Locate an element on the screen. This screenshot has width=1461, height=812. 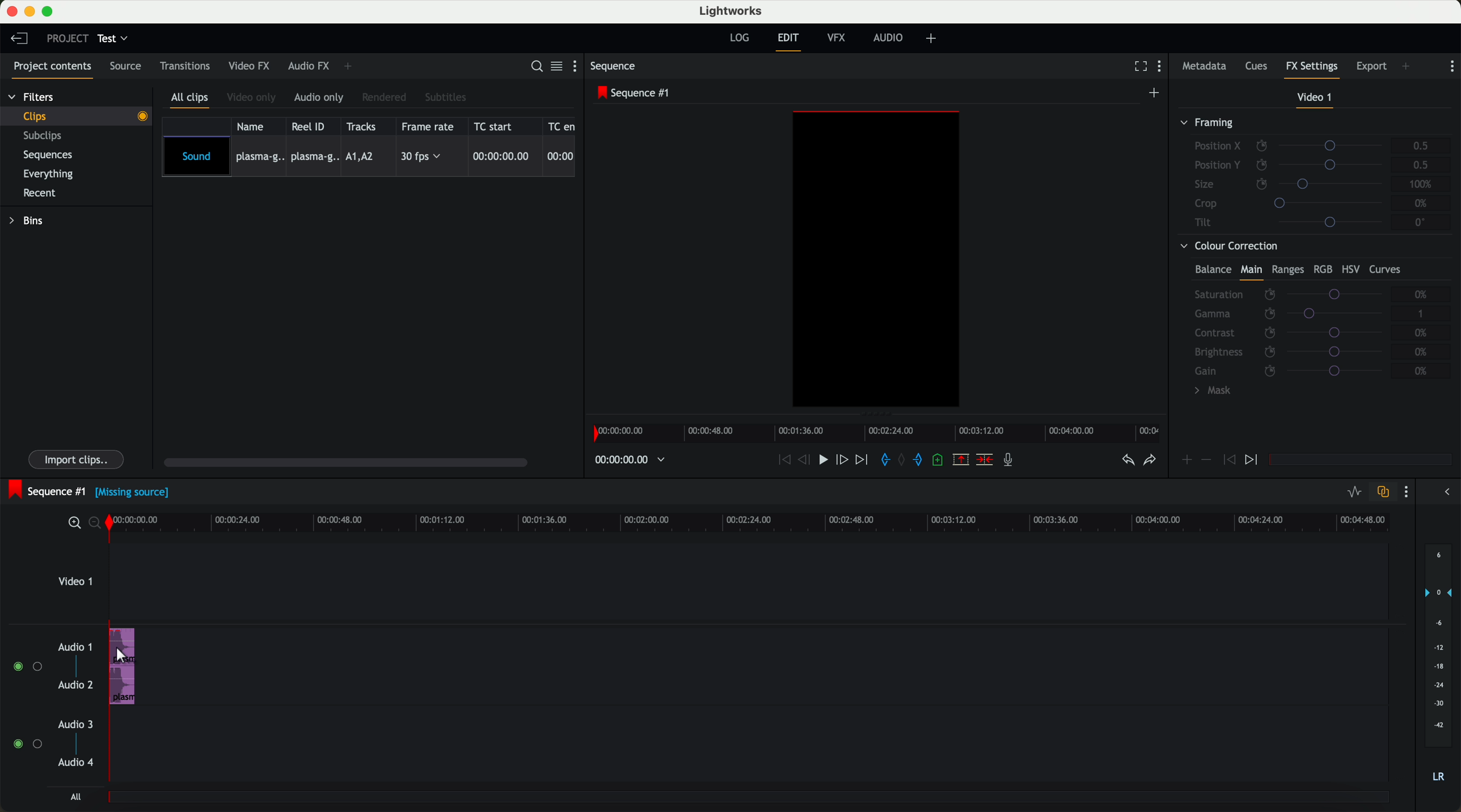
subclips is located at coordinates (45, 137).